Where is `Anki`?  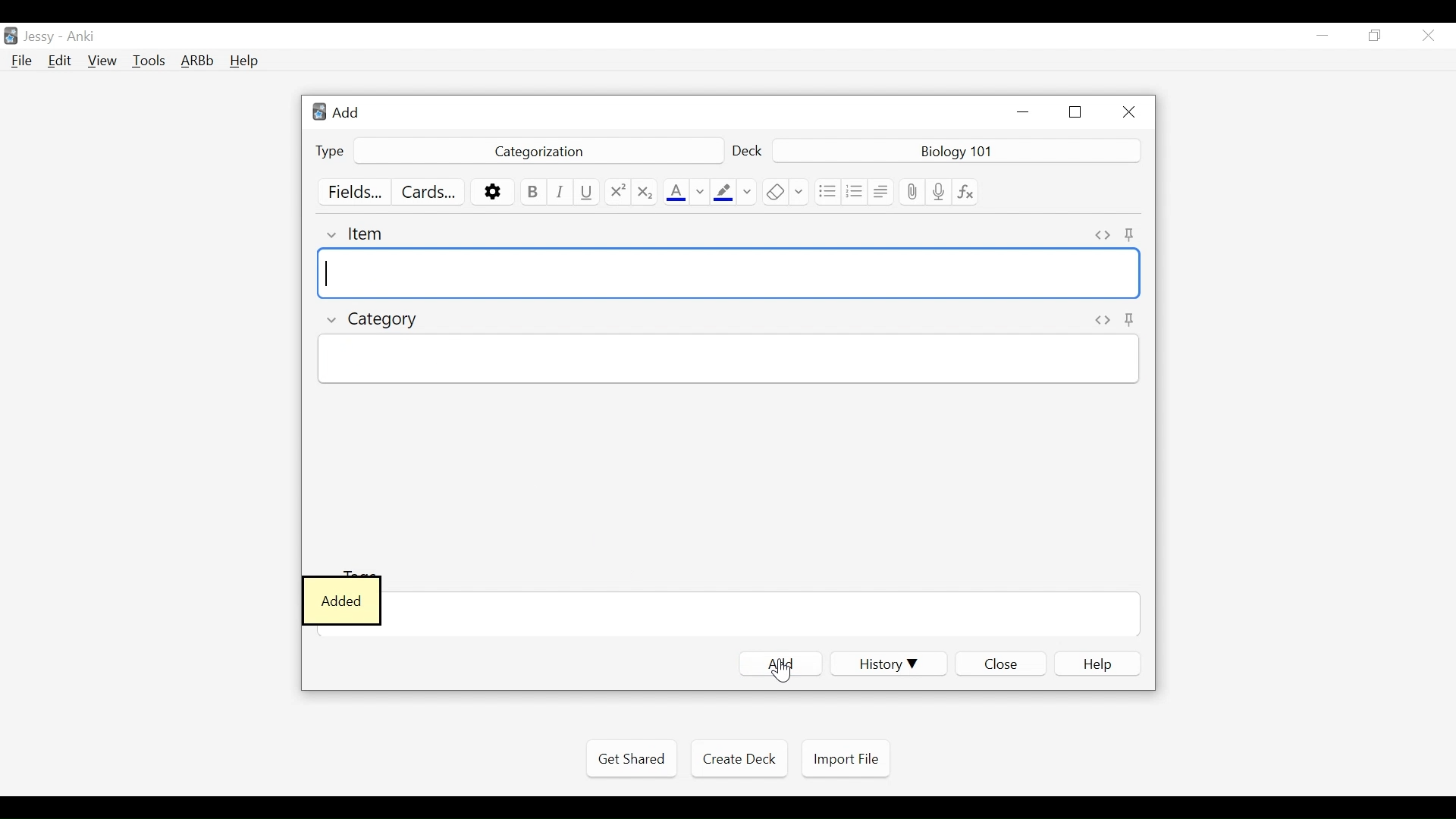
Anki is located at coordinates (81, 36).